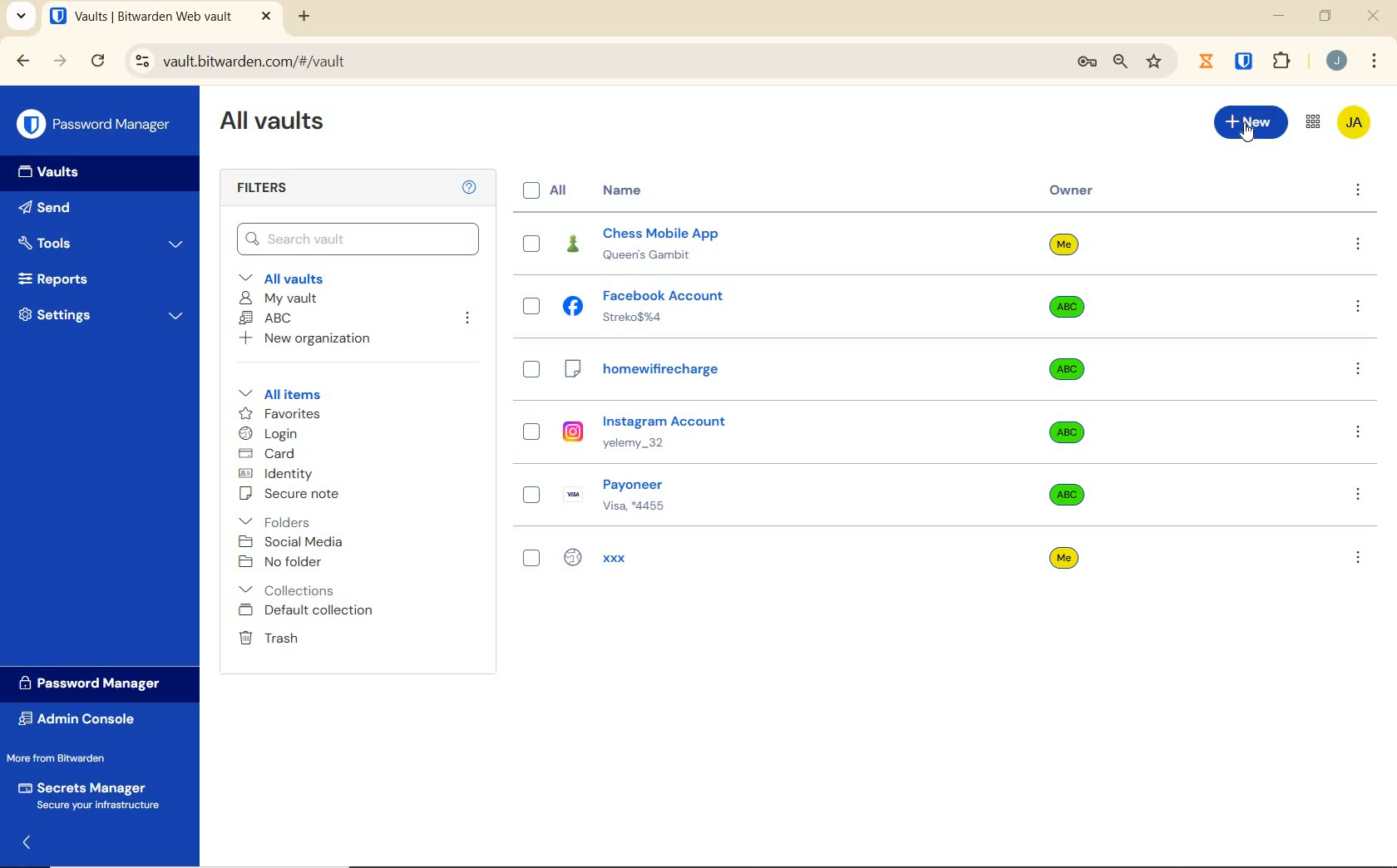  I want to click on xxx, so click(763, 555).